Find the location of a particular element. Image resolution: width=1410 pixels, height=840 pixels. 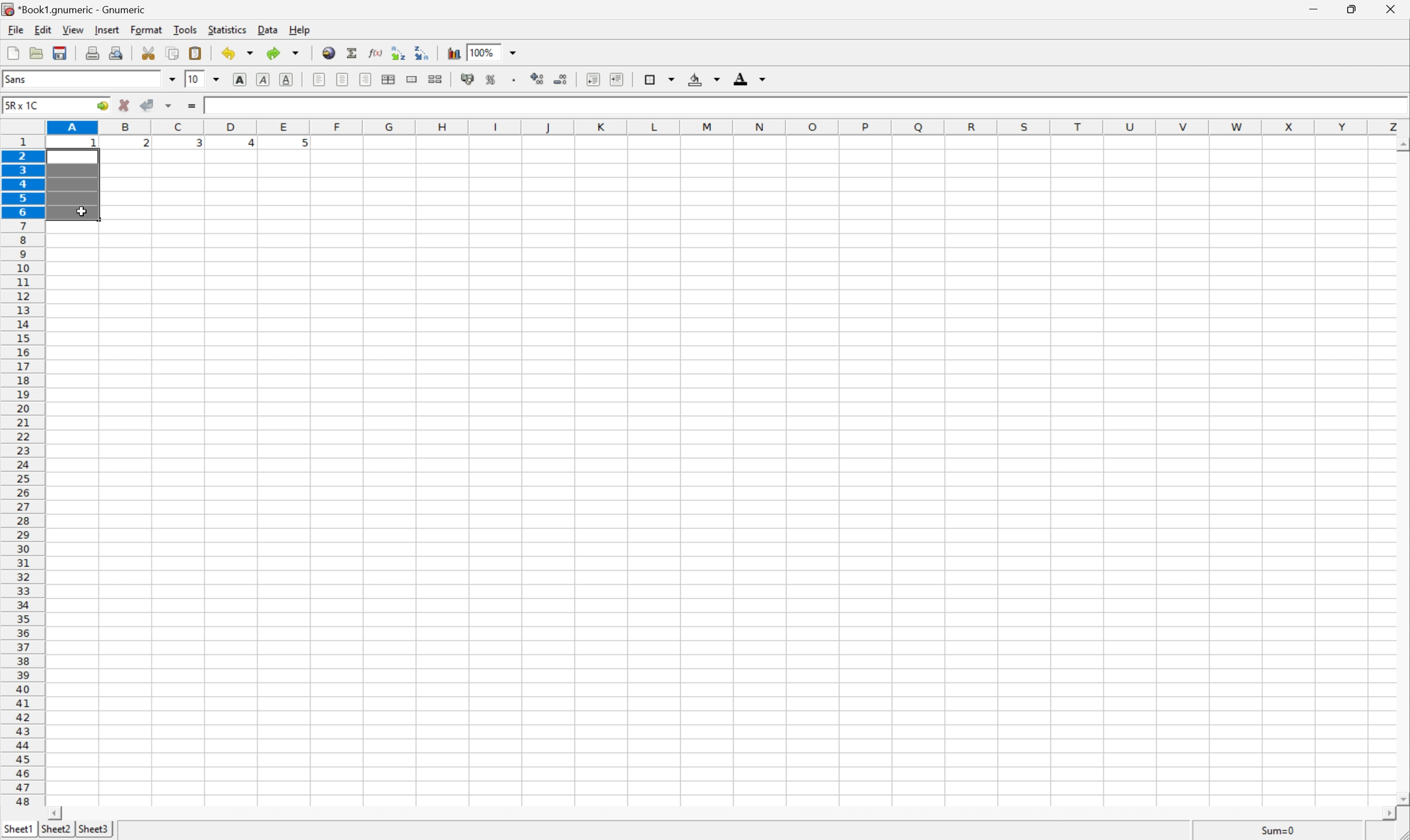

scroll right is located at coordinates (1390, 815).